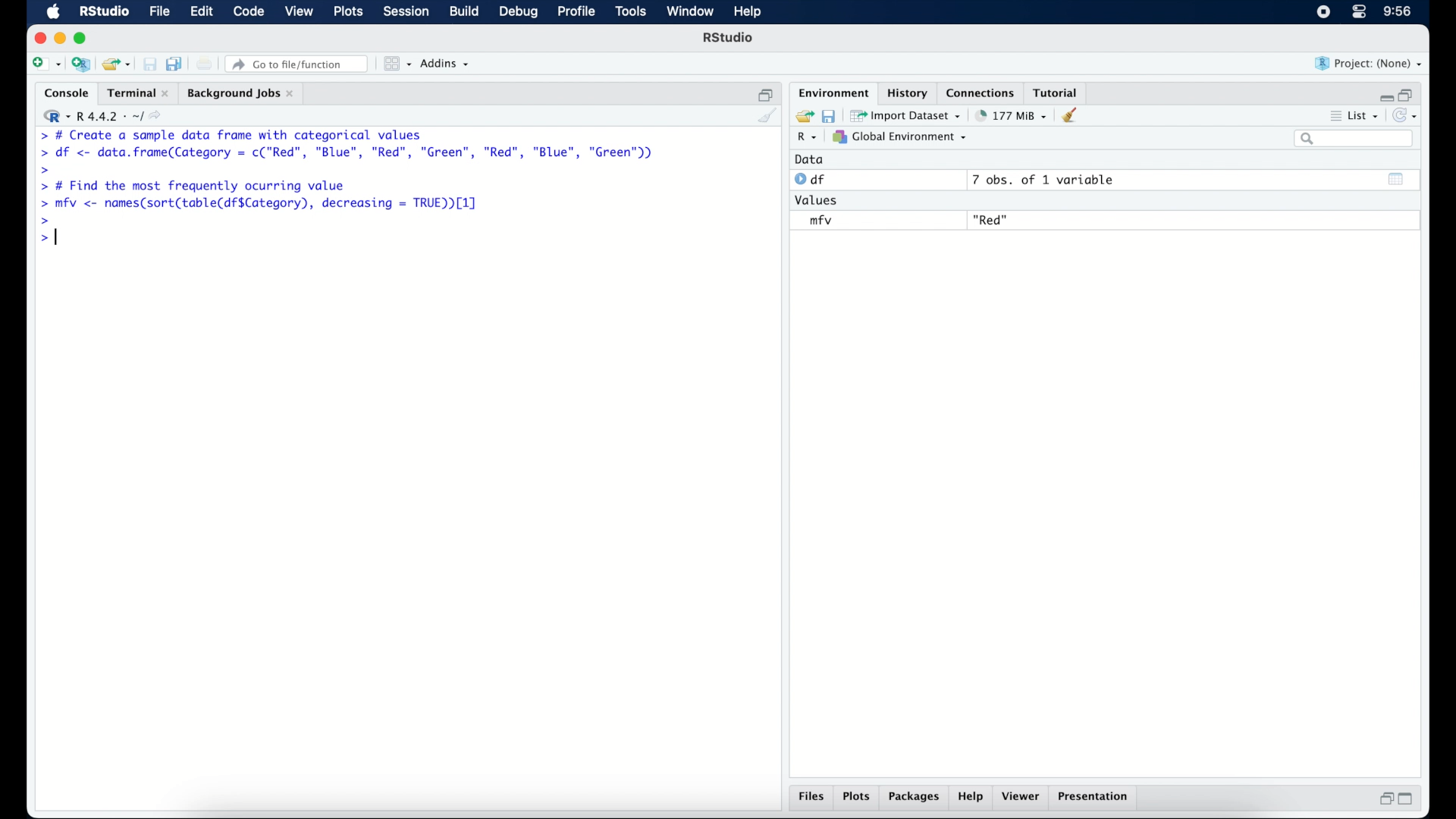 The image size is (1456, 819). I want to click on console, so click(63, 92).